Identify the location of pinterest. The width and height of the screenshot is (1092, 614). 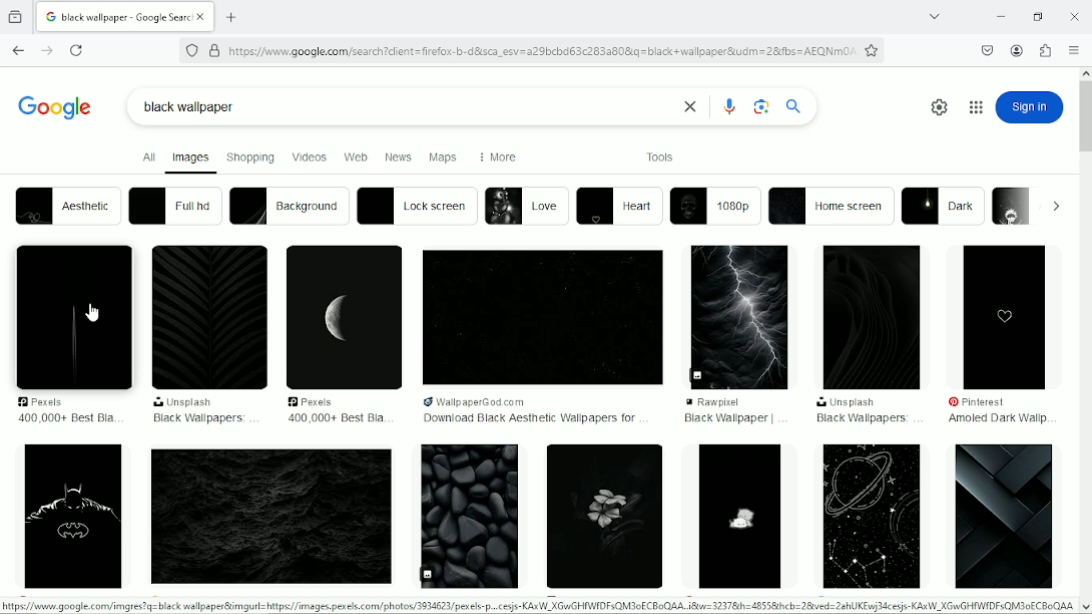
(987, 402).